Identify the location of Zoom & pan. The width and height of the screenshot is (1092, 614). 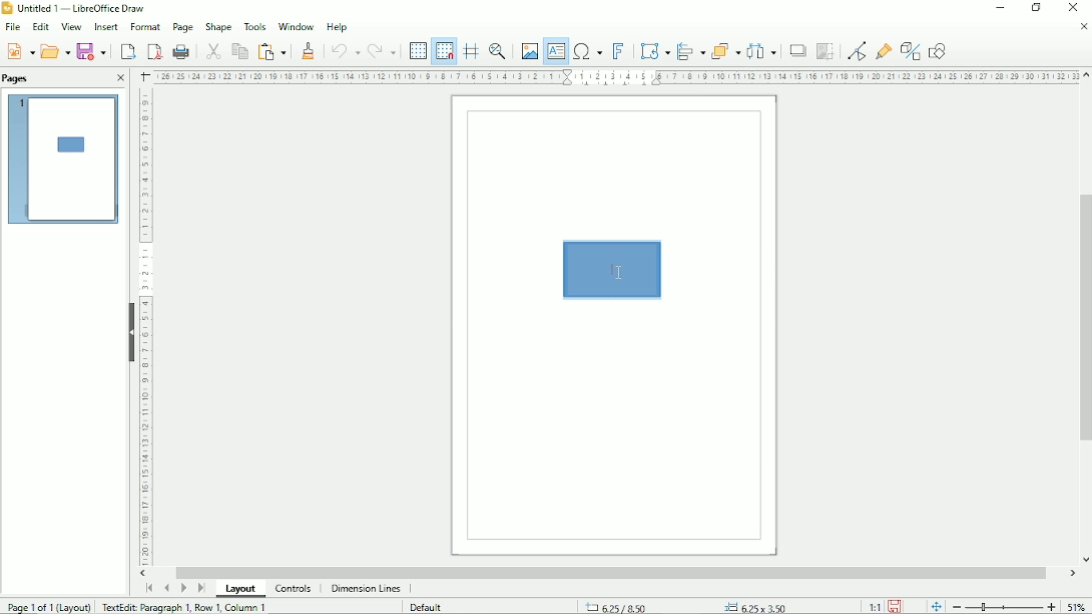
(499, 49).